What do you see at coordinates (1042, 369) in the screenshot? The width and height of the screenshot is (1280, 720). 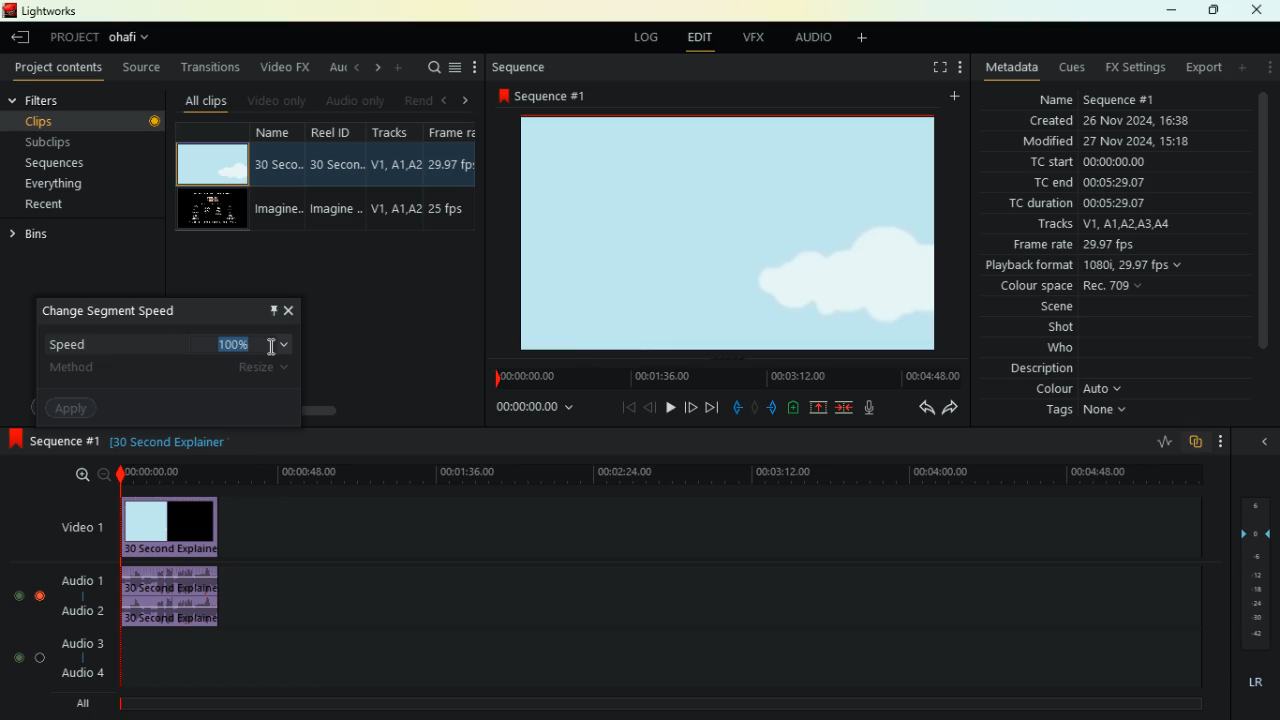 I see `description` at bounding box center [1042, 369].